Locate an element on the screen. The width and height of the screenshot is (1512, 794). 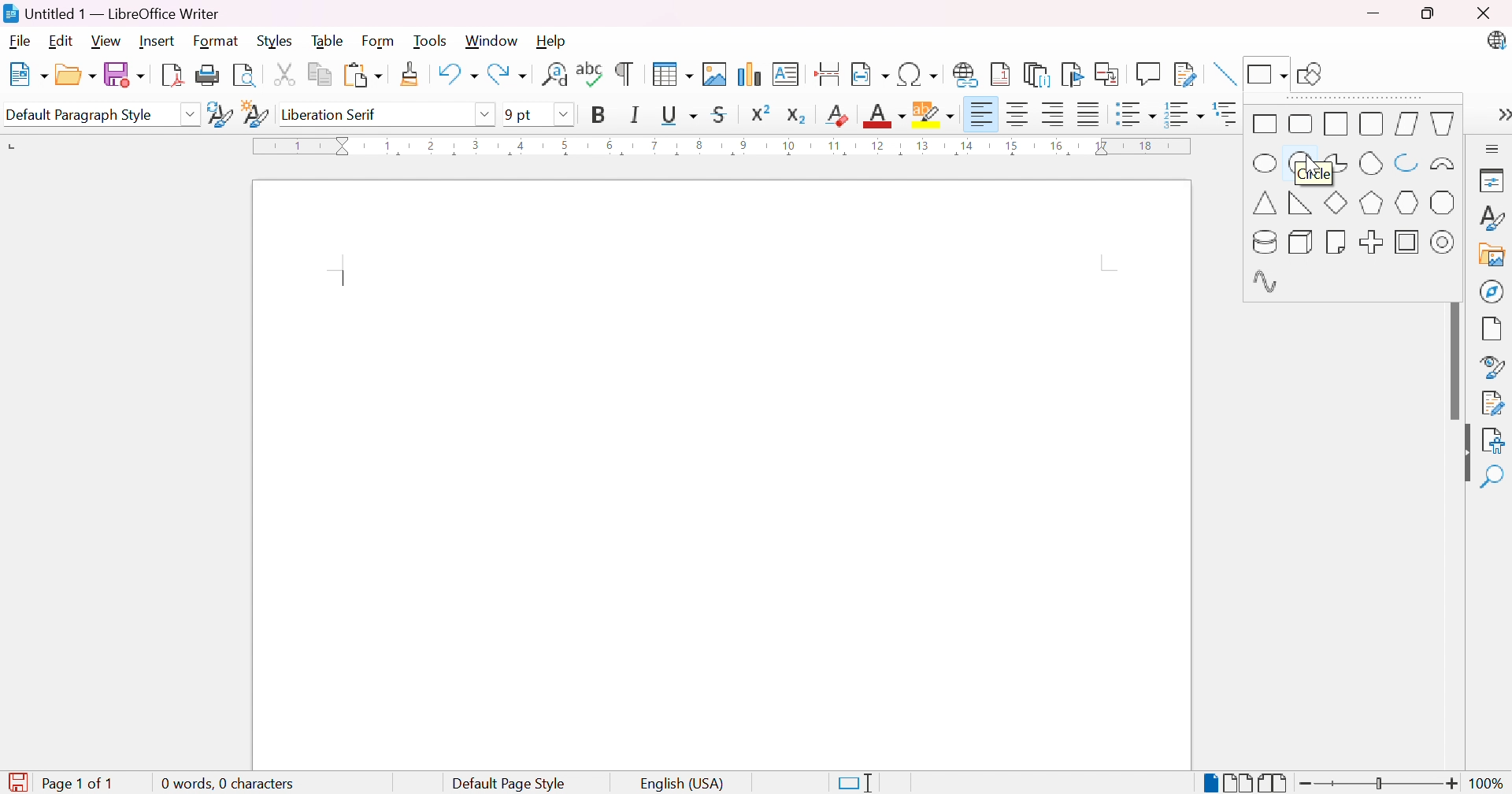
Cylinder is located at coordinates (1262, 241).